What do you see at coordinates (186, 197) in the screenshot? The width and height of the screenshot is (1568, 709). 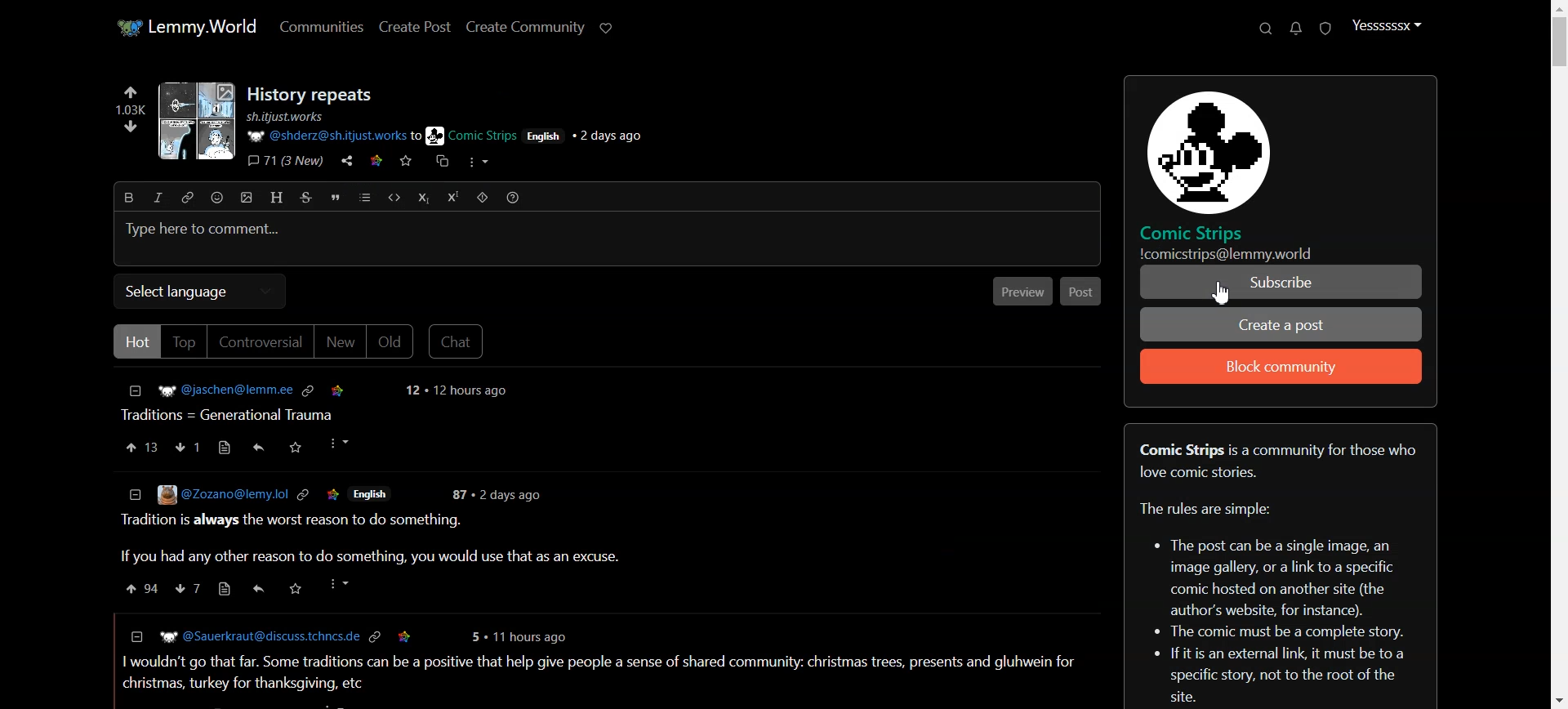 I see `Hyperlink` at bounding box center [186, 197].